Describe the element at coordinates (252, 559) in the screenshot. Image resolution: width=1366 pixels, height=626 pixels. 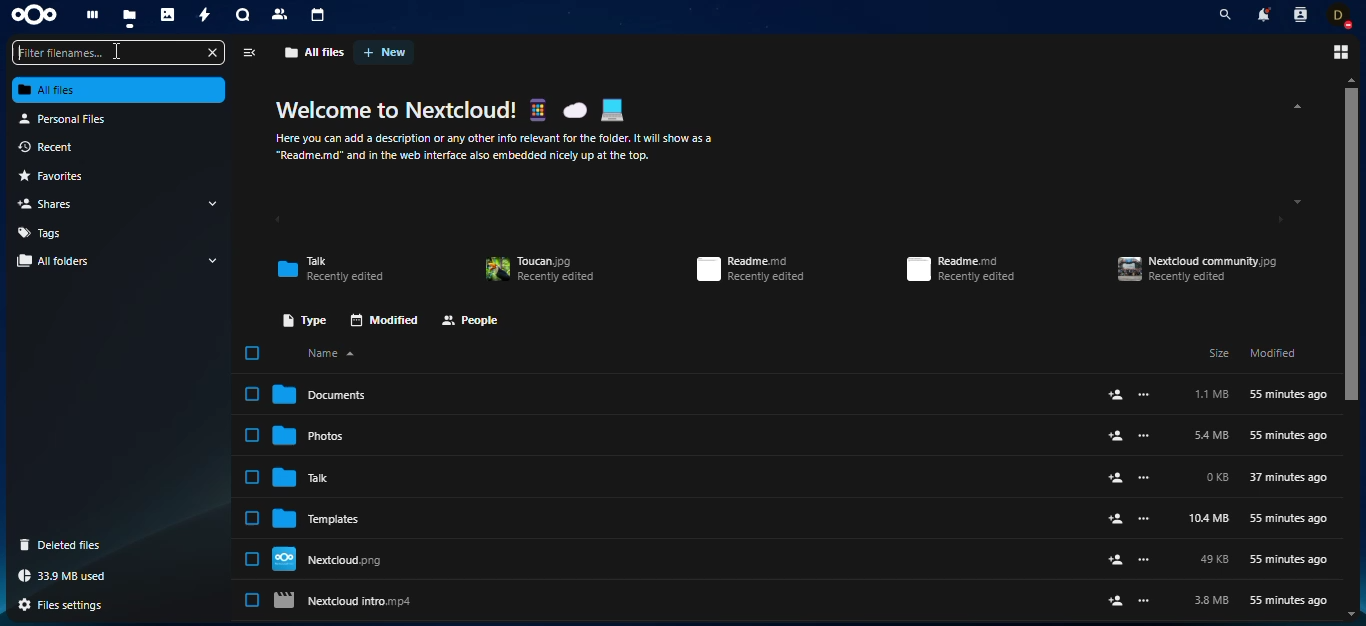
I see `Click to select` at that location.